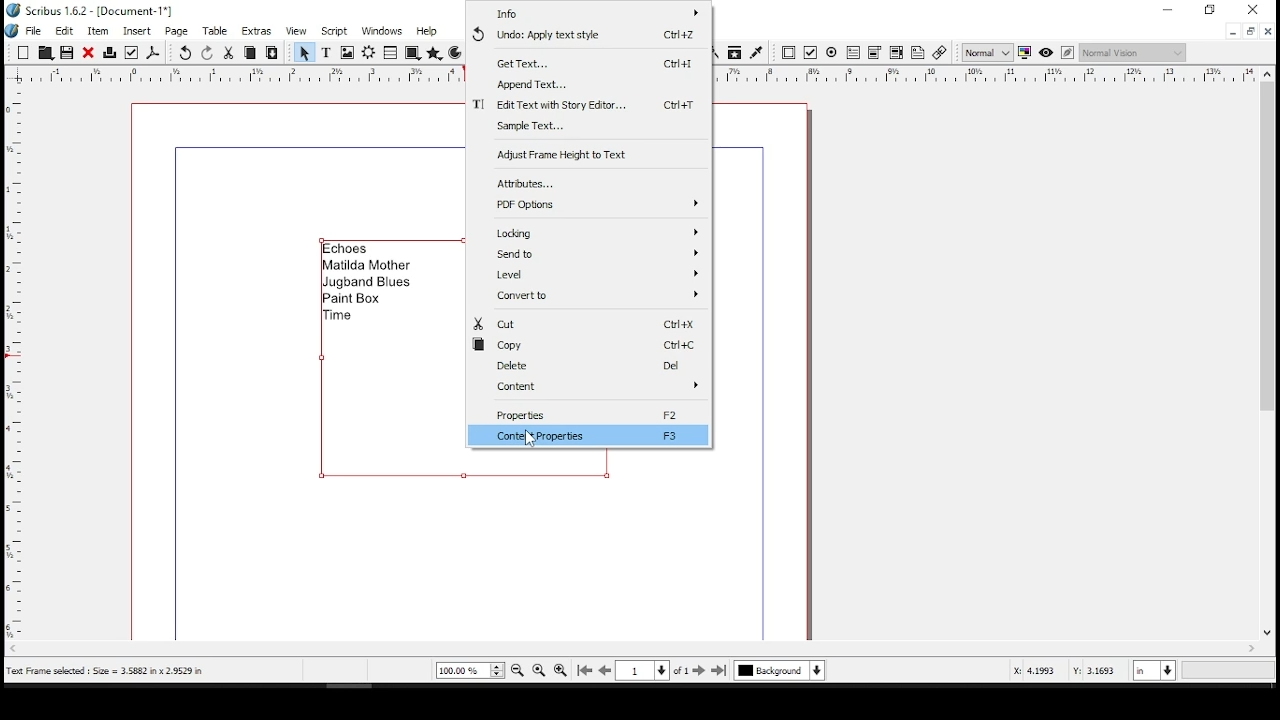 The width and height of the screenshot is (1280, 720). I want to click on polygon, so click(435, 54).